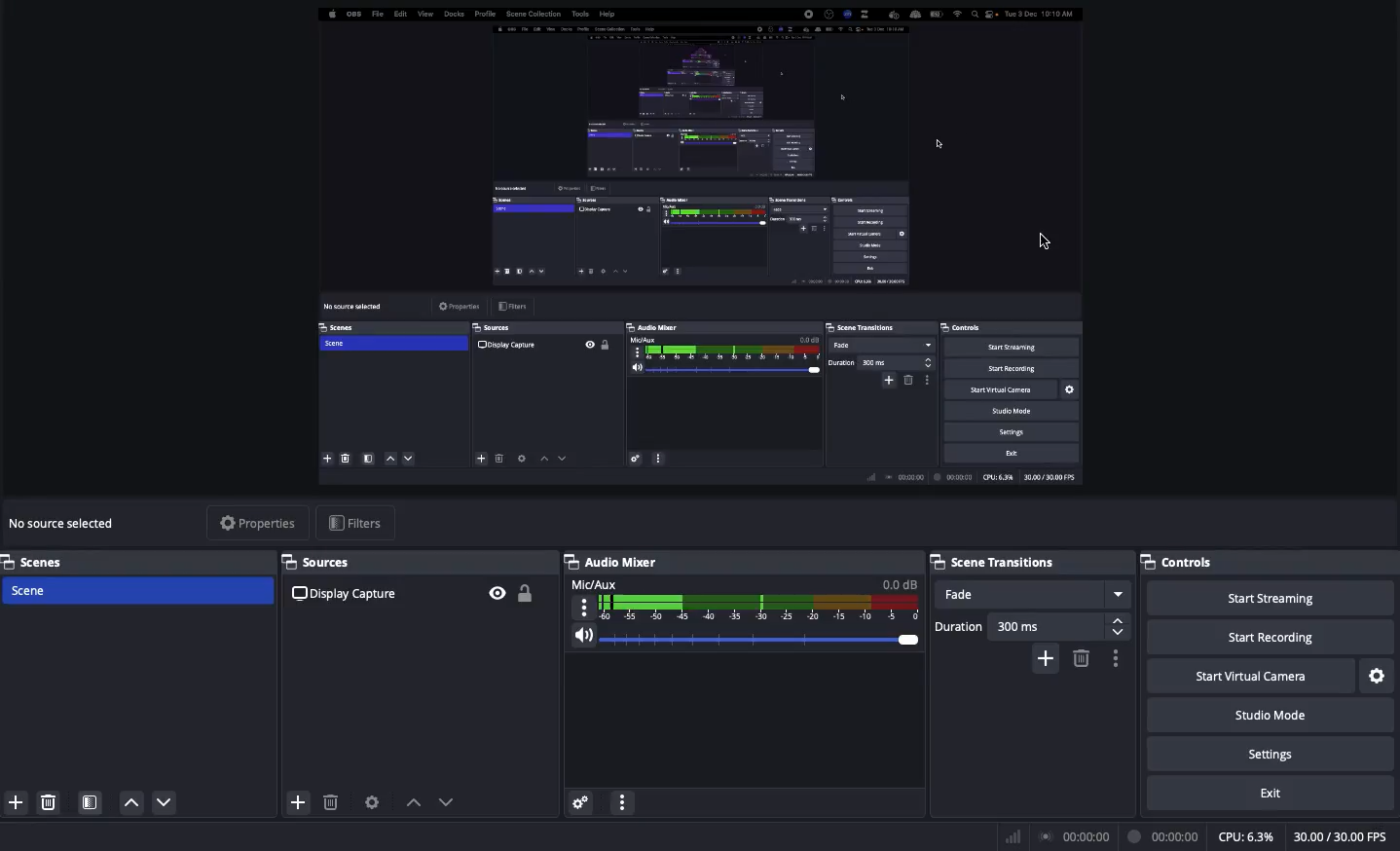 This screenshot has height=851, width=1400. Describe the element at coordinates (15, 803) in the screenshot. I see `Add` at that location.